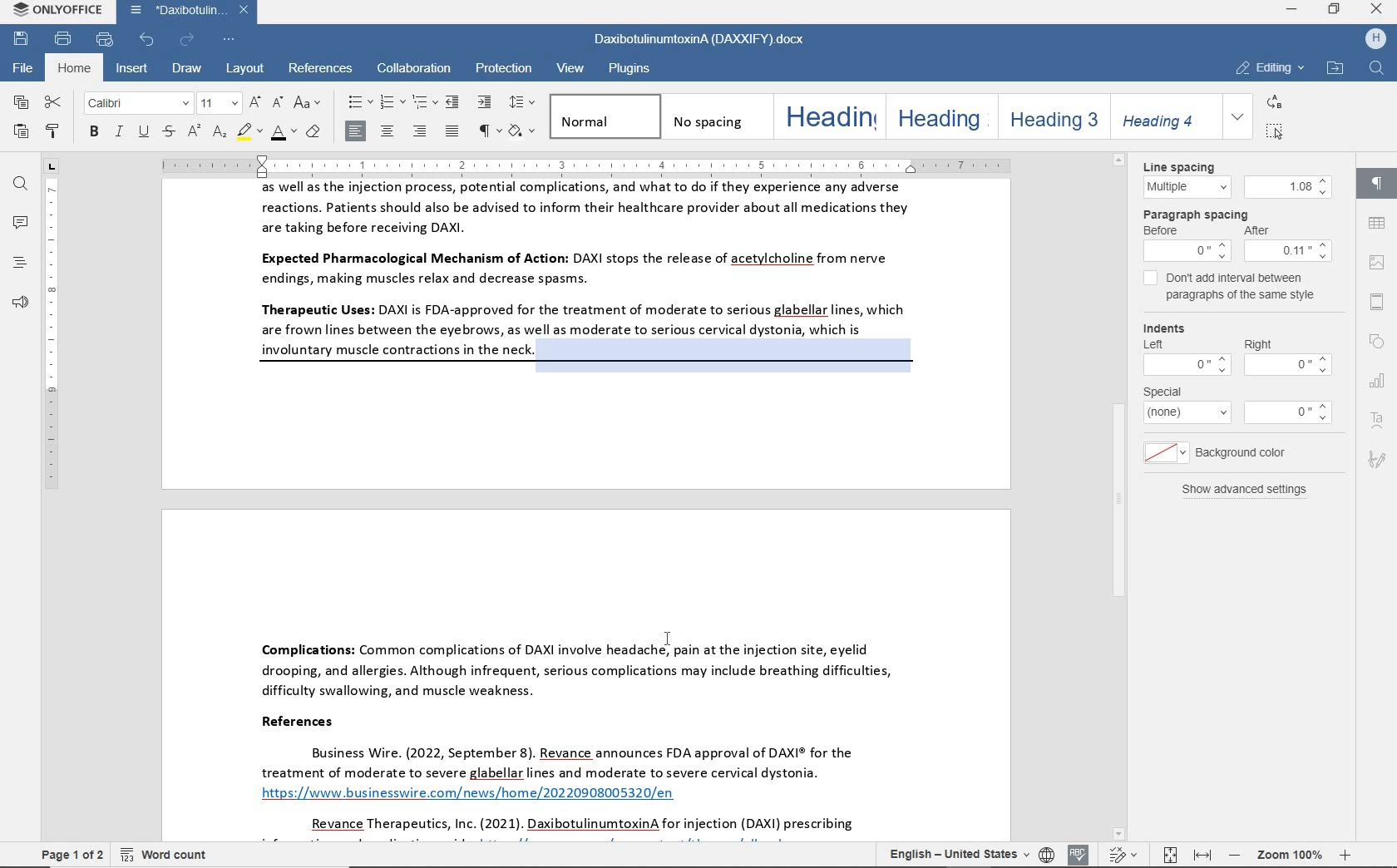 The height and width of the screenshot is (868, 1397). Describe the element at coordinates (486, 102) in the screenshot. I see `increase indent` at that location.